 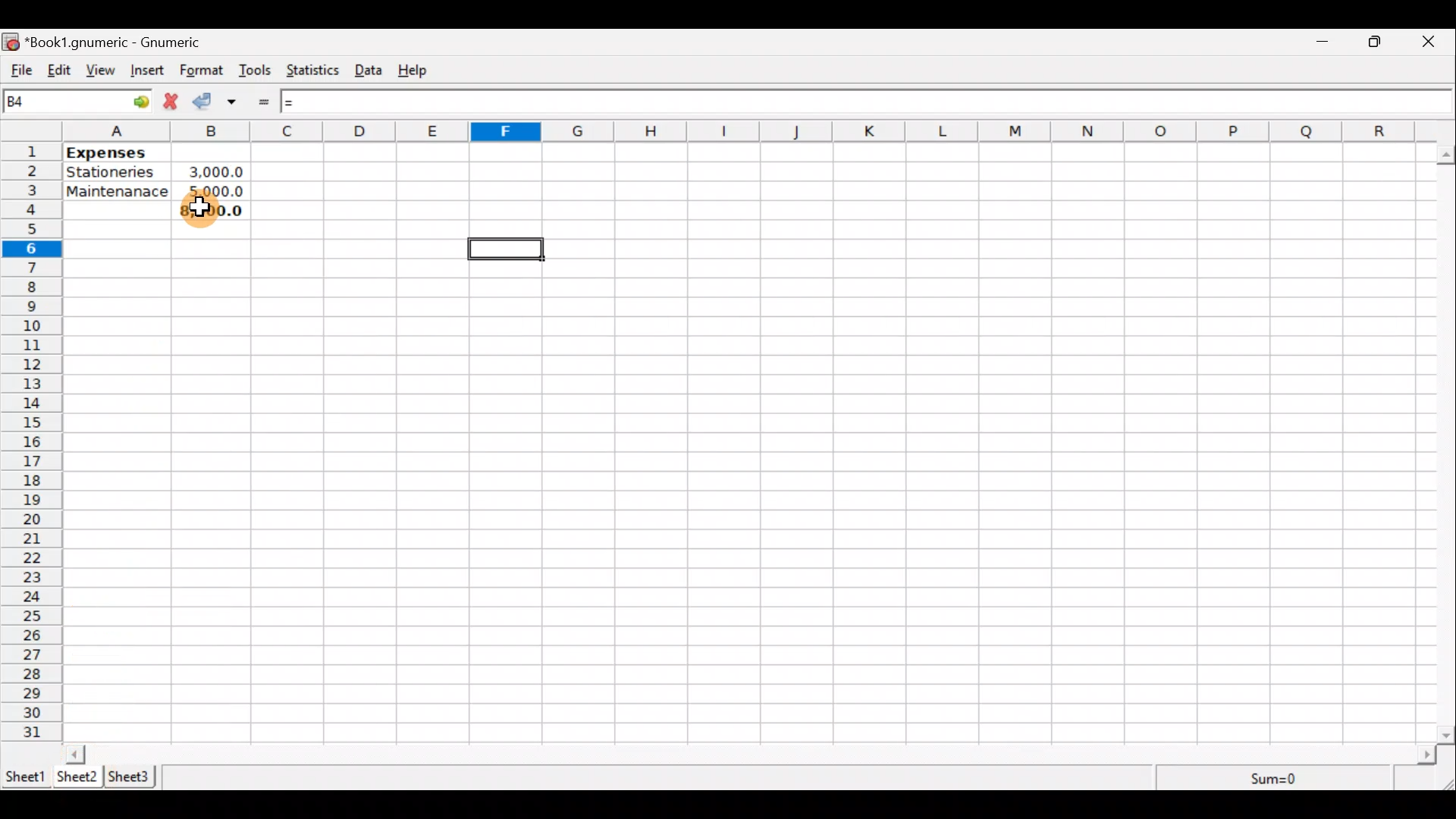 What do you see at coordinates (218, 170) in the screenshot?
I see `3000` at bounding box center [218, 170].